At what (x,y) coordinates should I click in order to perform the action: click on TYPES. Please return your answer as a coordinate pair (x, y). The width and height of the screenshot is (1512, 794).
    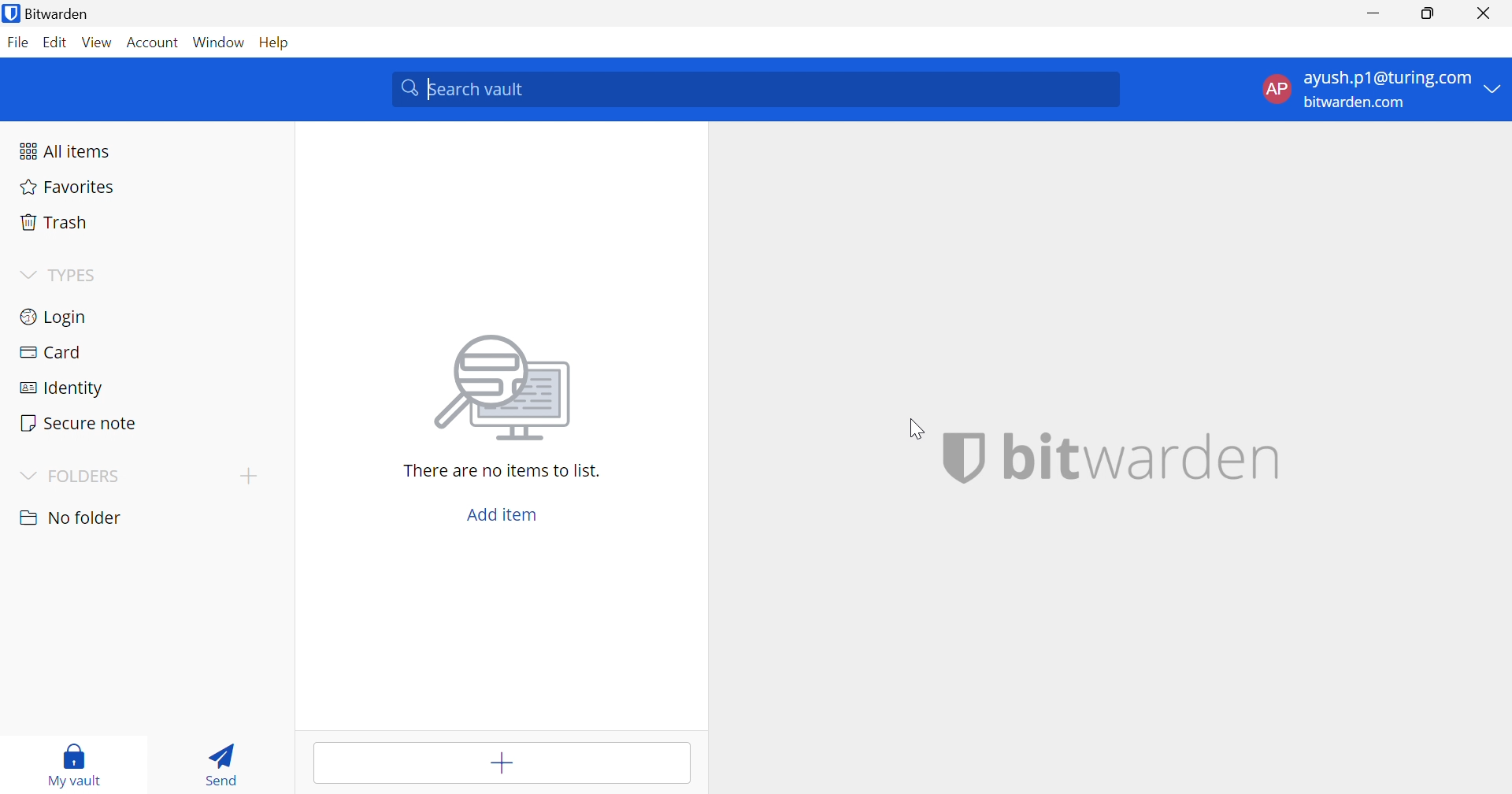
    Looking at the image, I should click on (76, 275).